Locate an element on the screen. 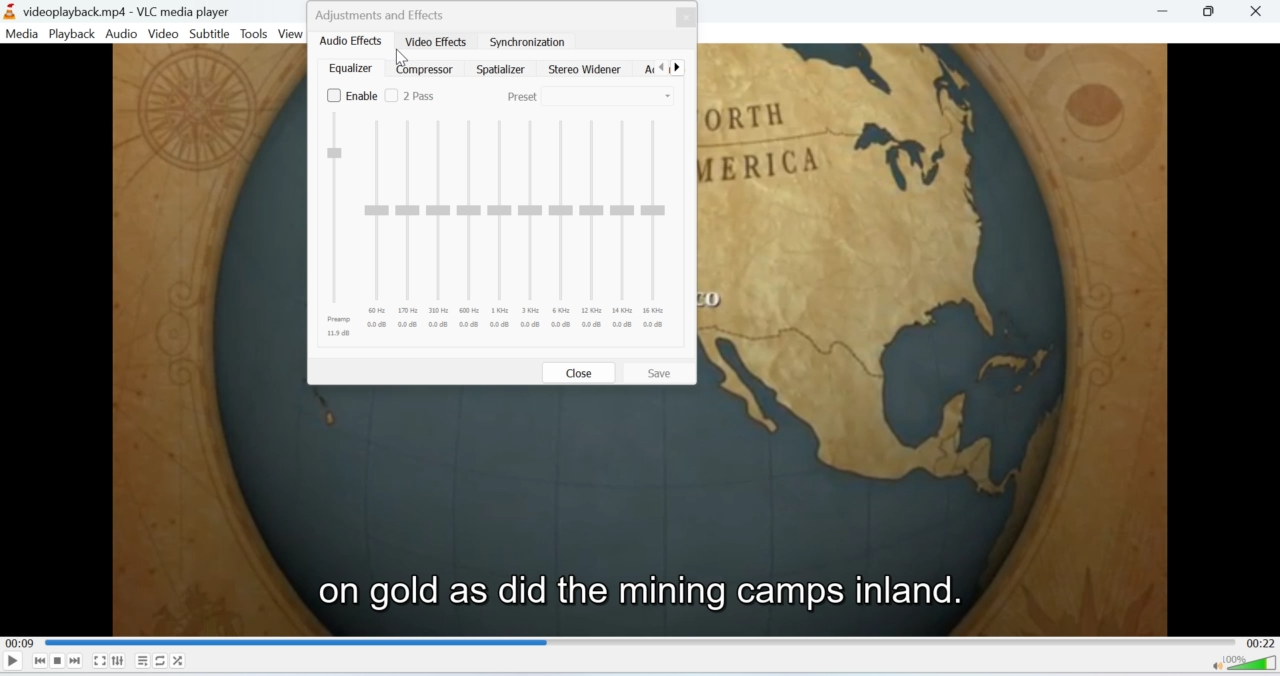 The height and width of the screenshot is (676, 1280). 00:09 is located at coordinates (18, 642).